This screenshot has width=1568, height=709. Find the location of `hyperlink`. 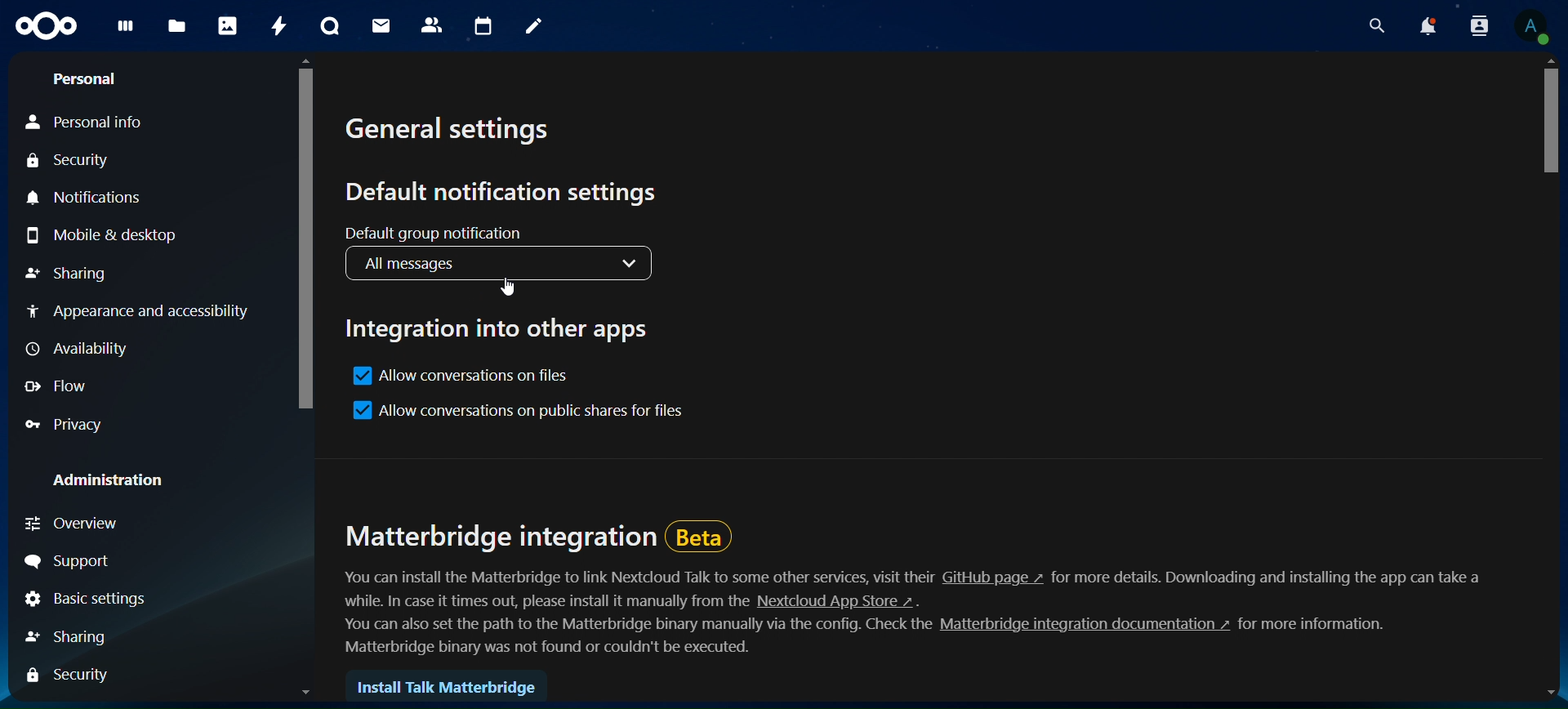

hyperlink is located at coordinates (993, 577).